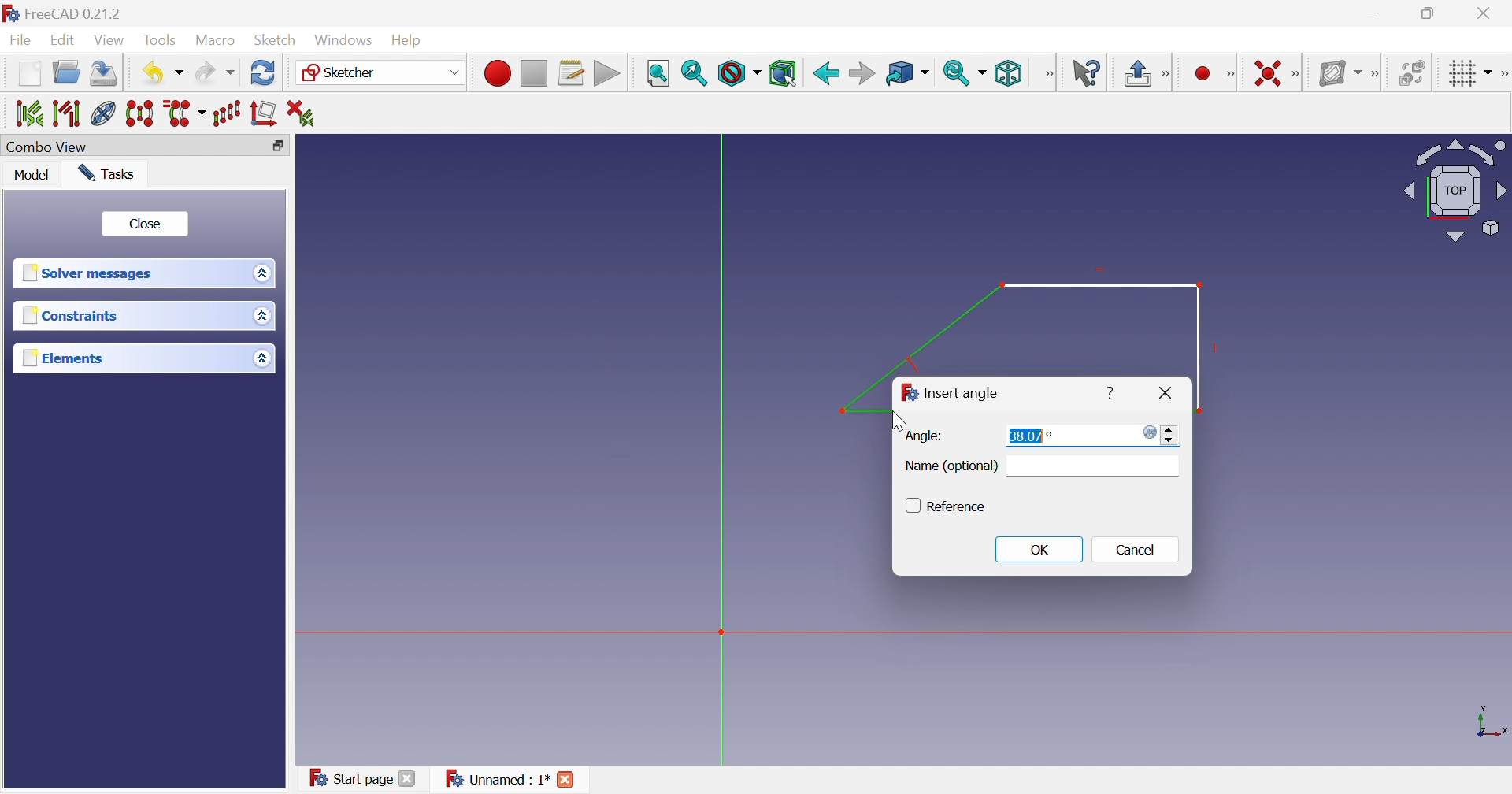  Describe the element at coordinates (50, 147) in the screenshot. I see `Combo View` at that location.